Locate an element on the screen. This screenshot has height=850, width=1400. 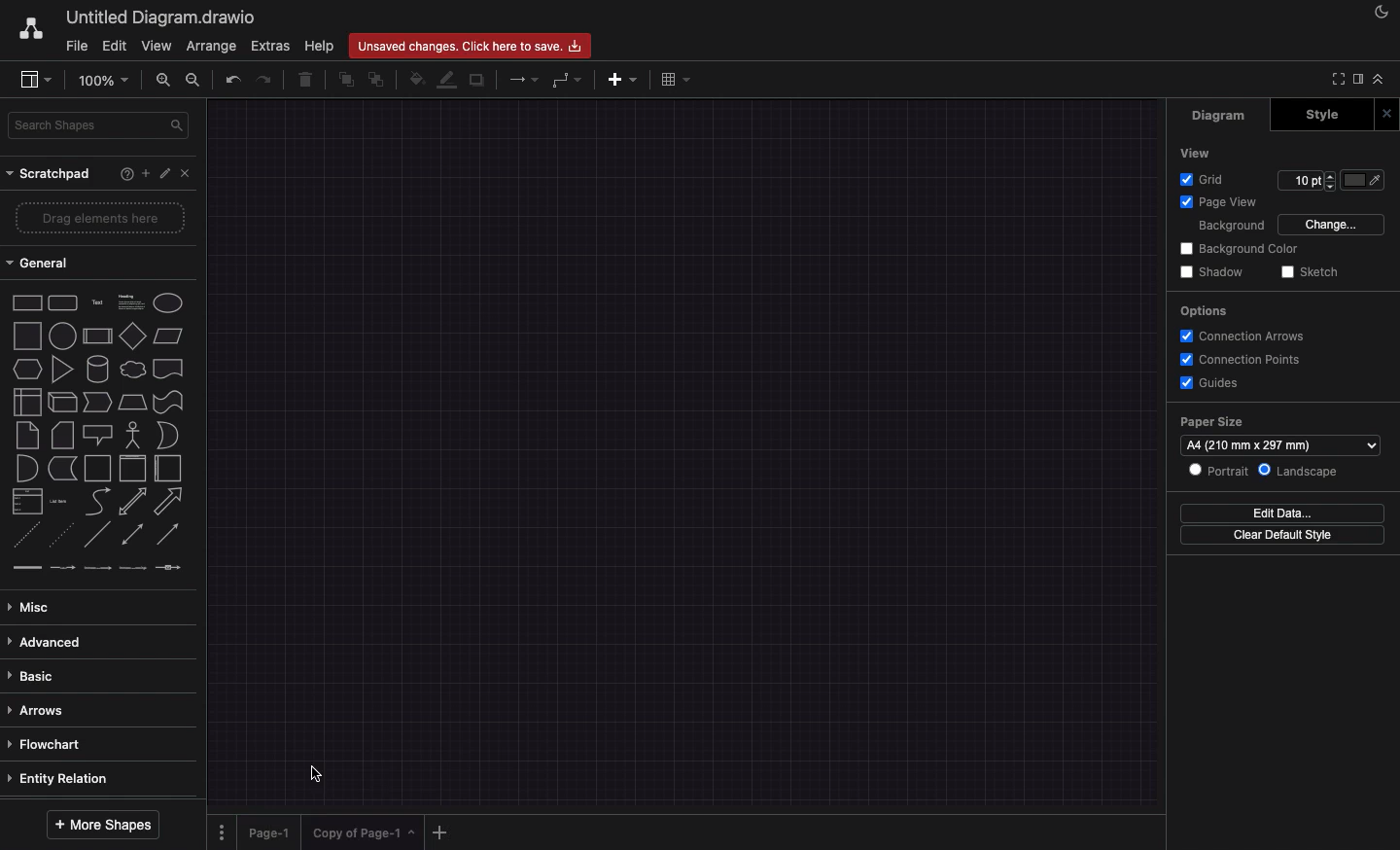
data storage is located at coordinates (64, 470).